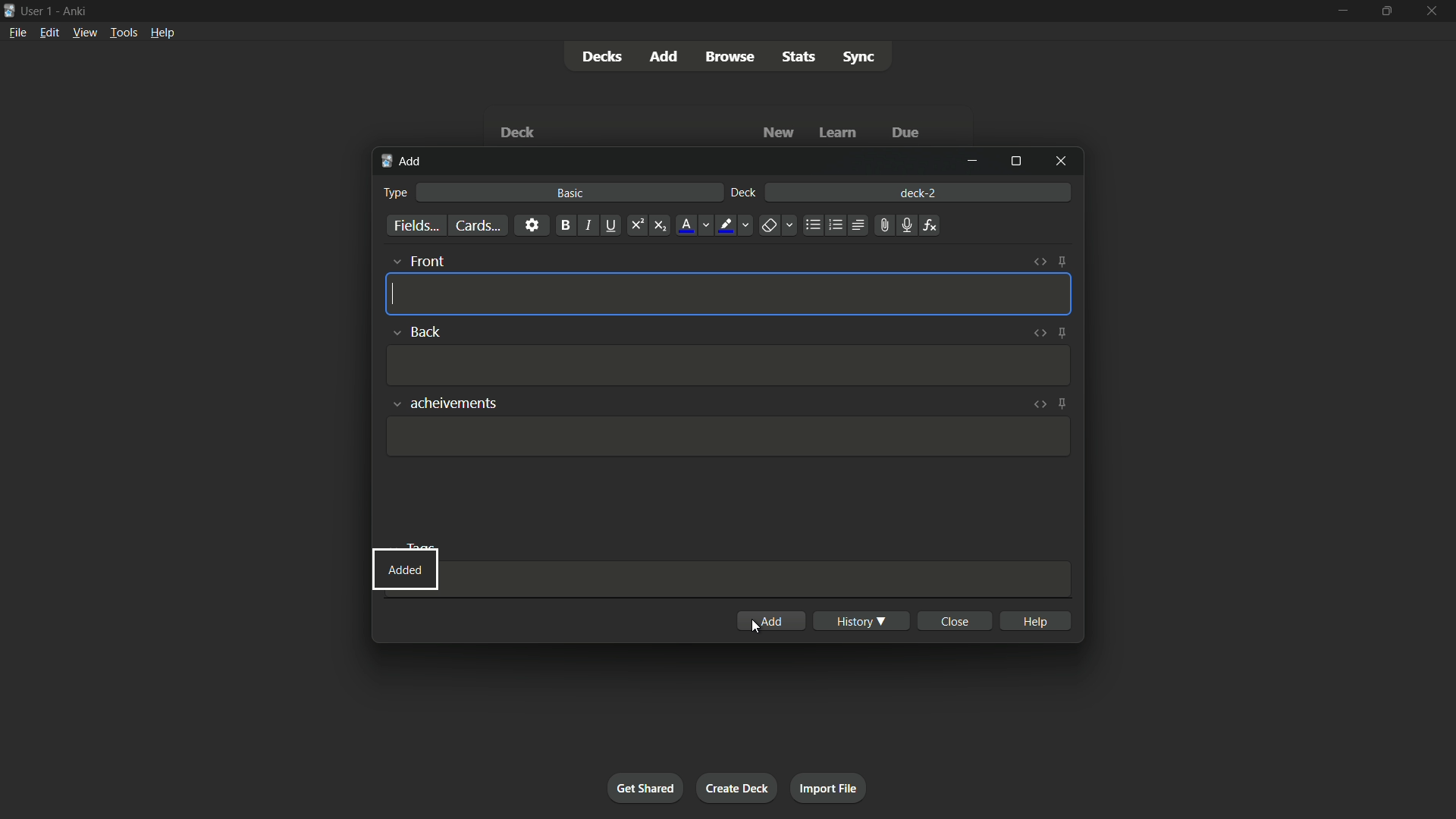  What do you see at coordinates (444, 406) in the screenshot?
I see `achievements` at bounding box center [444, 406].